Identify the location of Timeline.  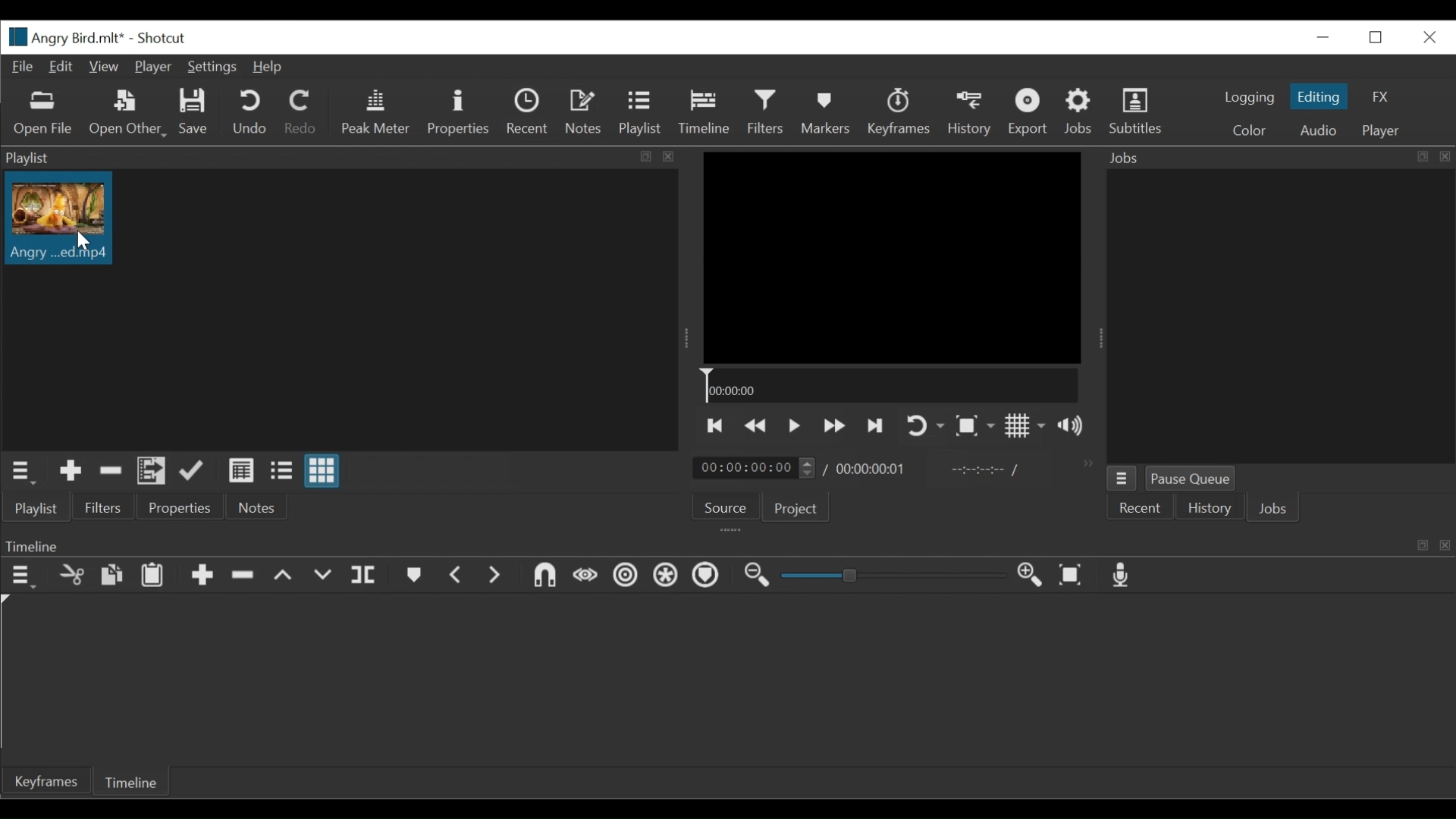
(890, 384).